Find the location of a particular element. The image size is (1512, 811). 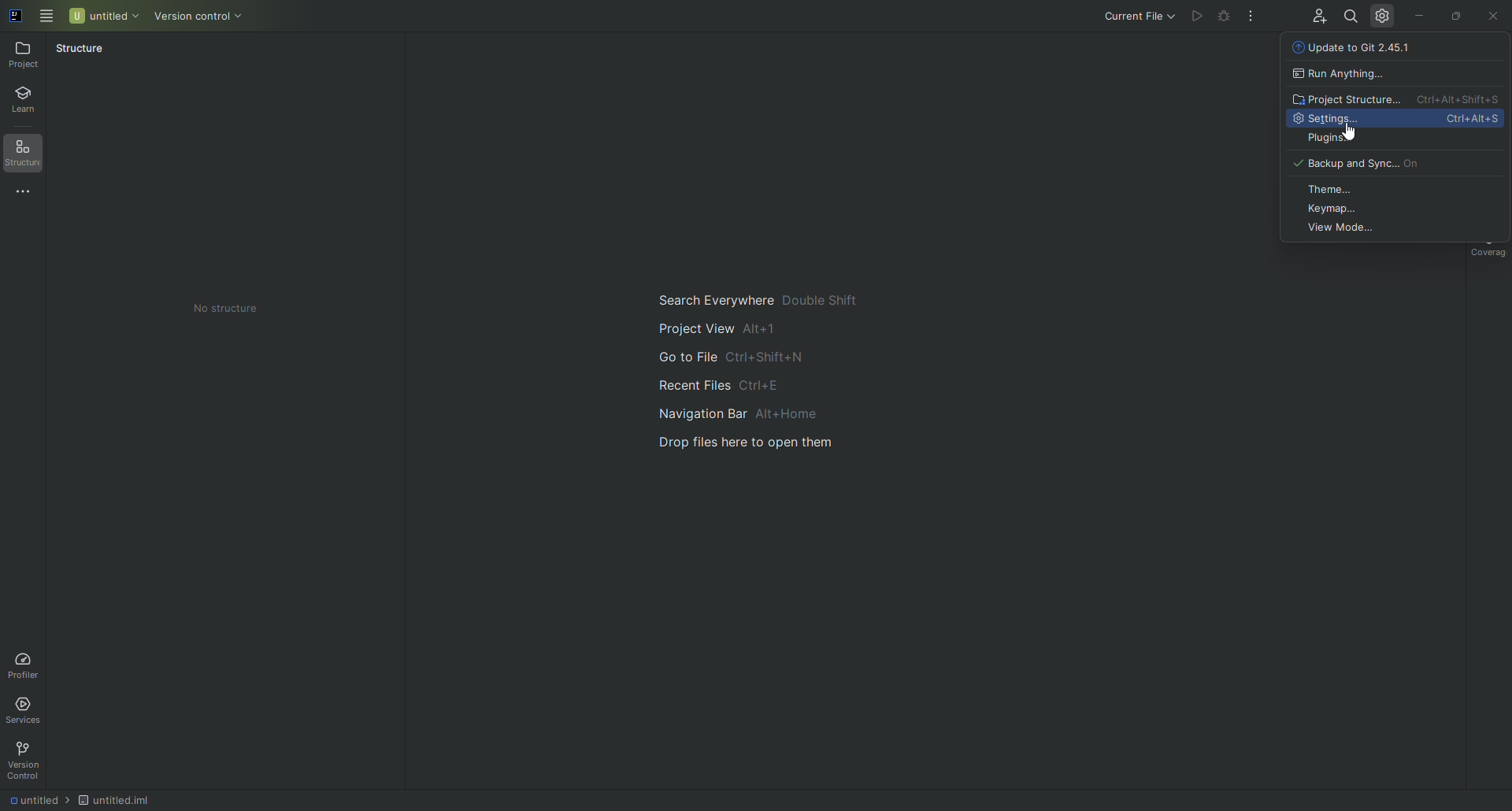

Search is located at coordinates (1351, 17).